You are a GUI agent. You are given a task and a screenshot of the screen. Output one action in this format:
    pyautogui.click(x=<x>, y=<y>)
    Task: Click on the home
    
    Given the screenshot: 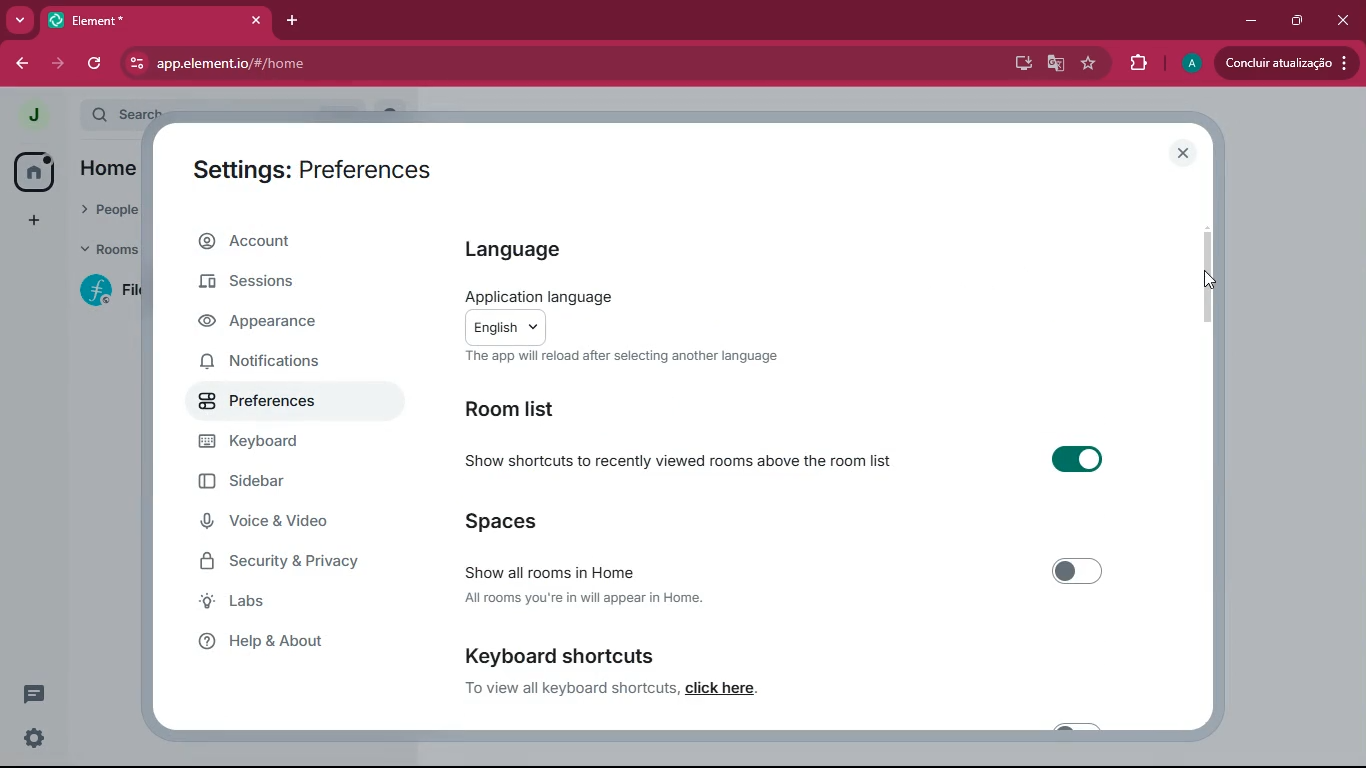 What is the action you would take?
    pyautogui.click(x=34, y=171)
    